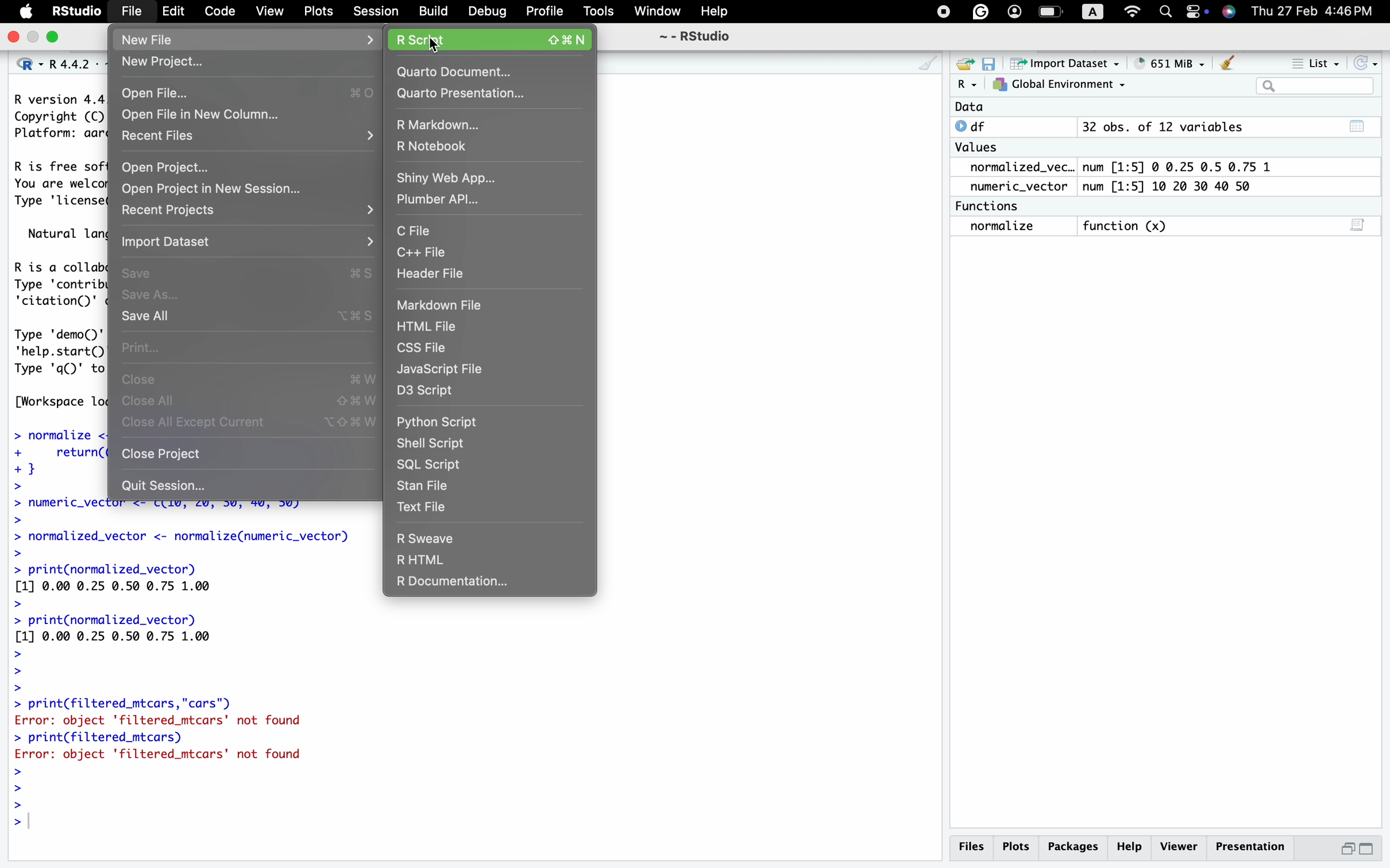 The width and height of the screenshot is (1390, 868). I want to click on R Sweave, so click(447, 536).